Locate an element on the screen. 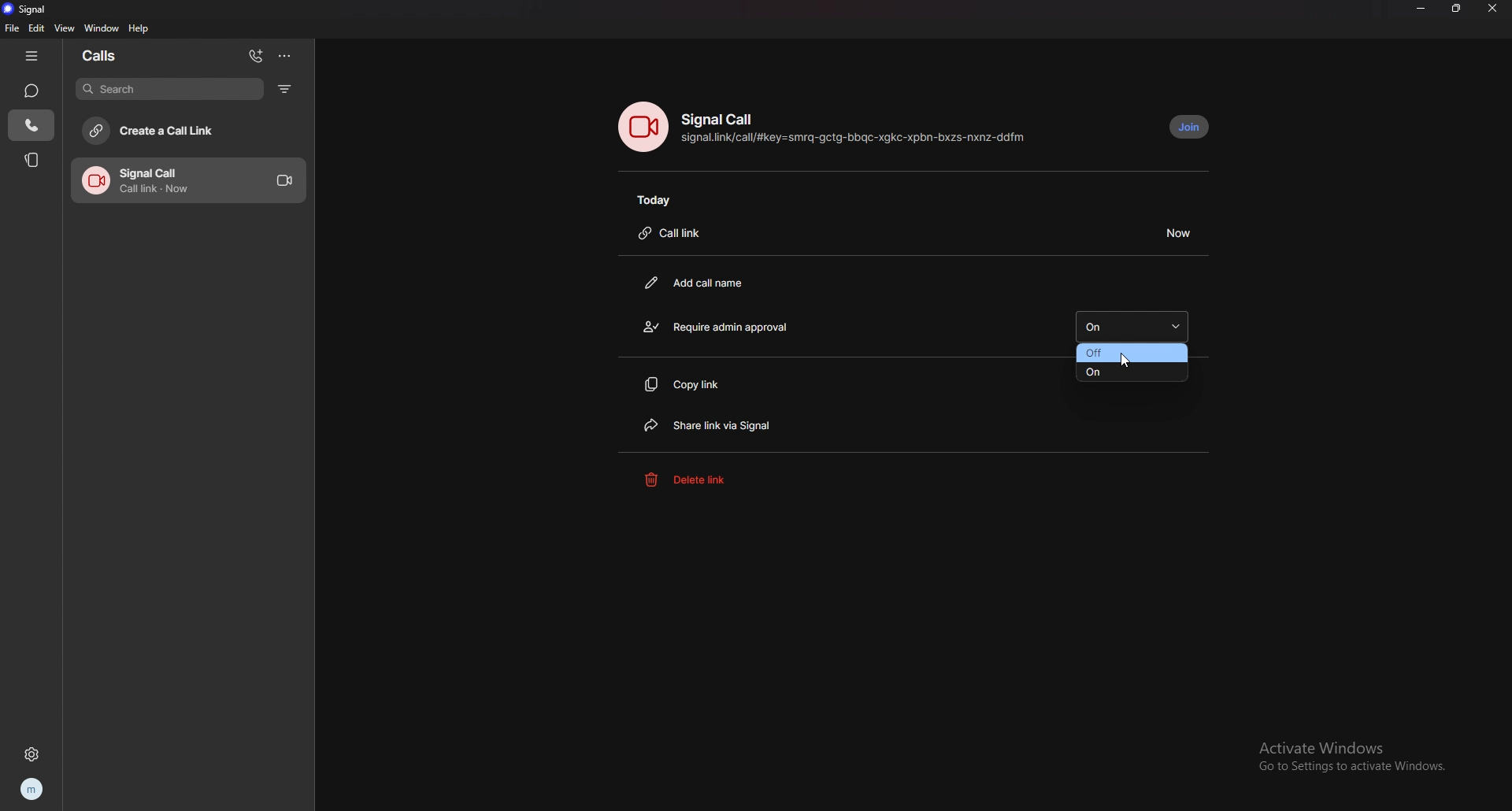  duration is located at coordinates (1177, 232).